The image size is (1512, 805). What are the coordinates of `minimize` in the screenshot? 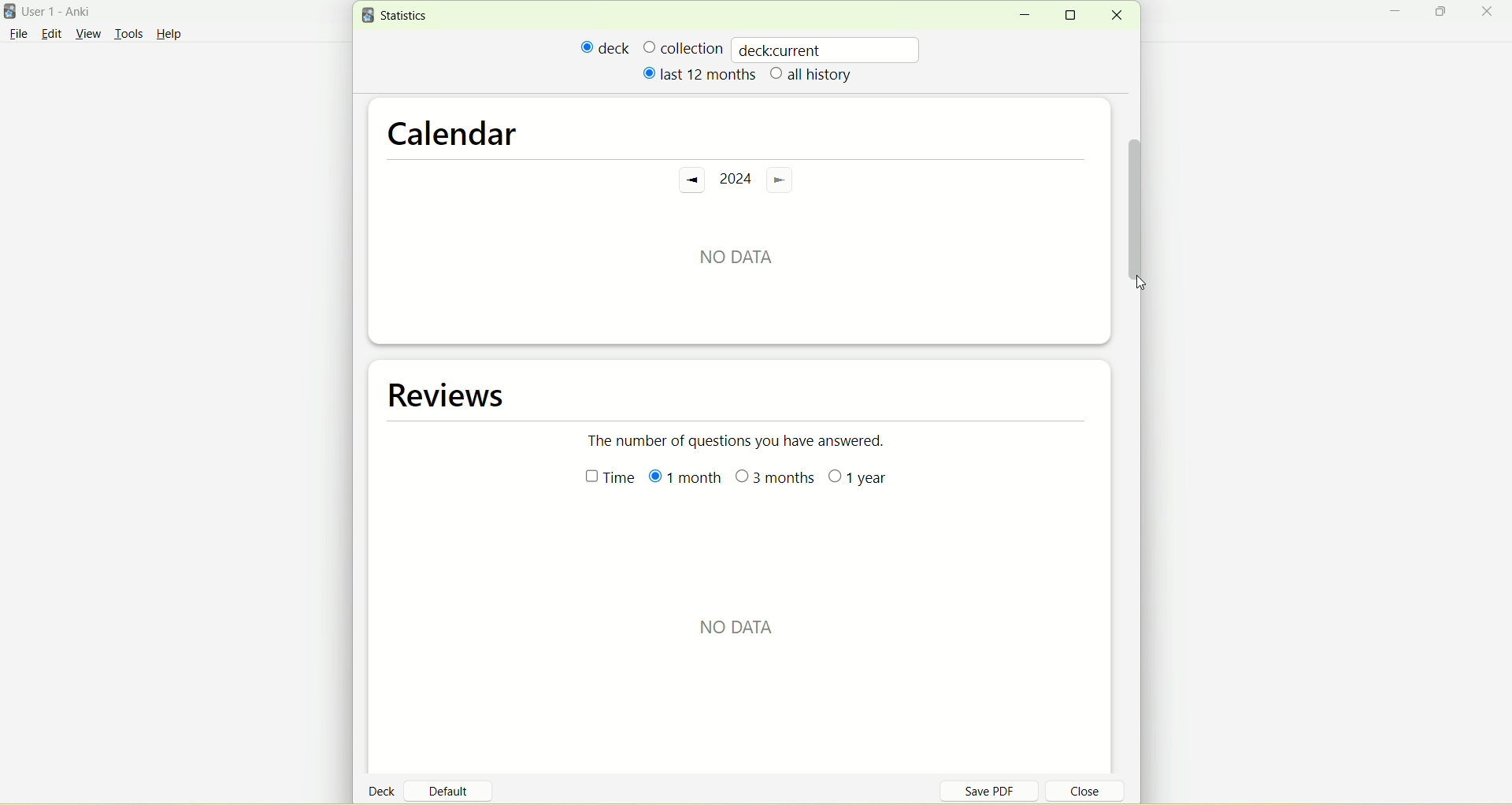 It's located at (1024, 16).